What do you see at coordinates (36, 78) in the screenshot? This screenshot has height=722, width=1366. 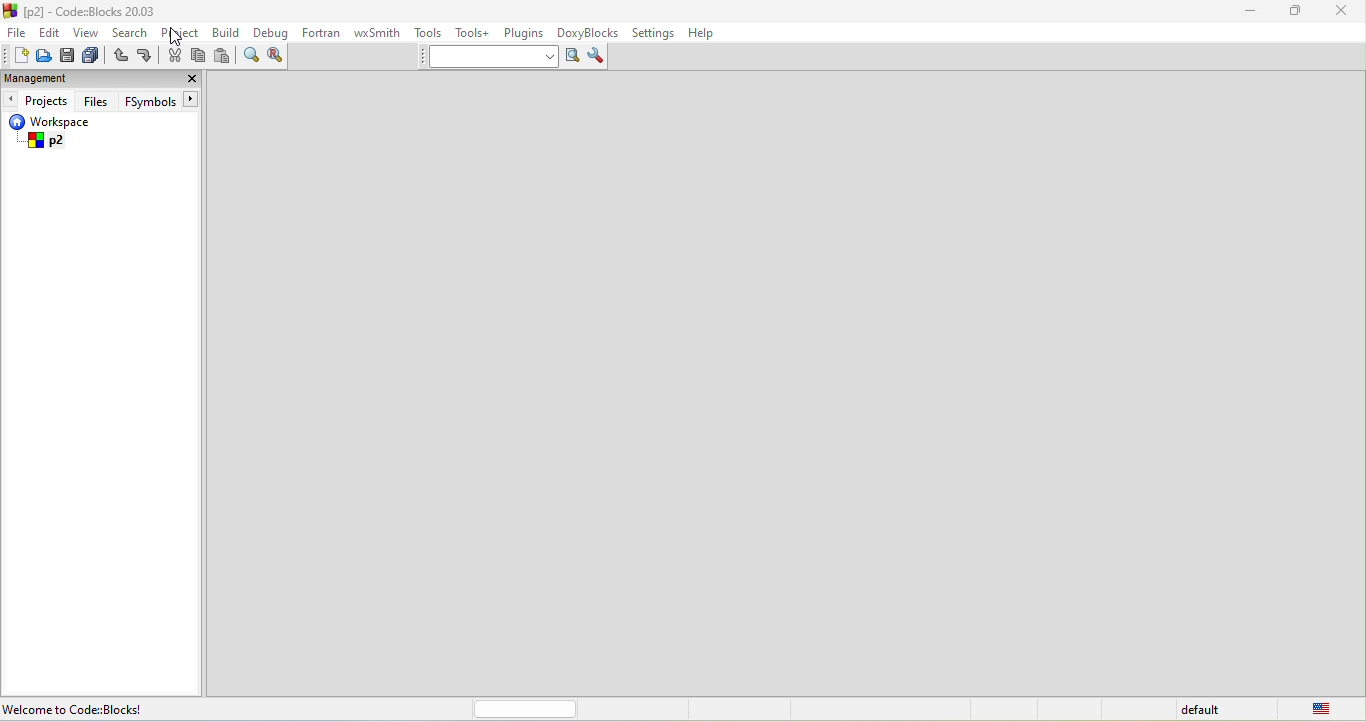 I see `management` at bounding box center [36, 78].